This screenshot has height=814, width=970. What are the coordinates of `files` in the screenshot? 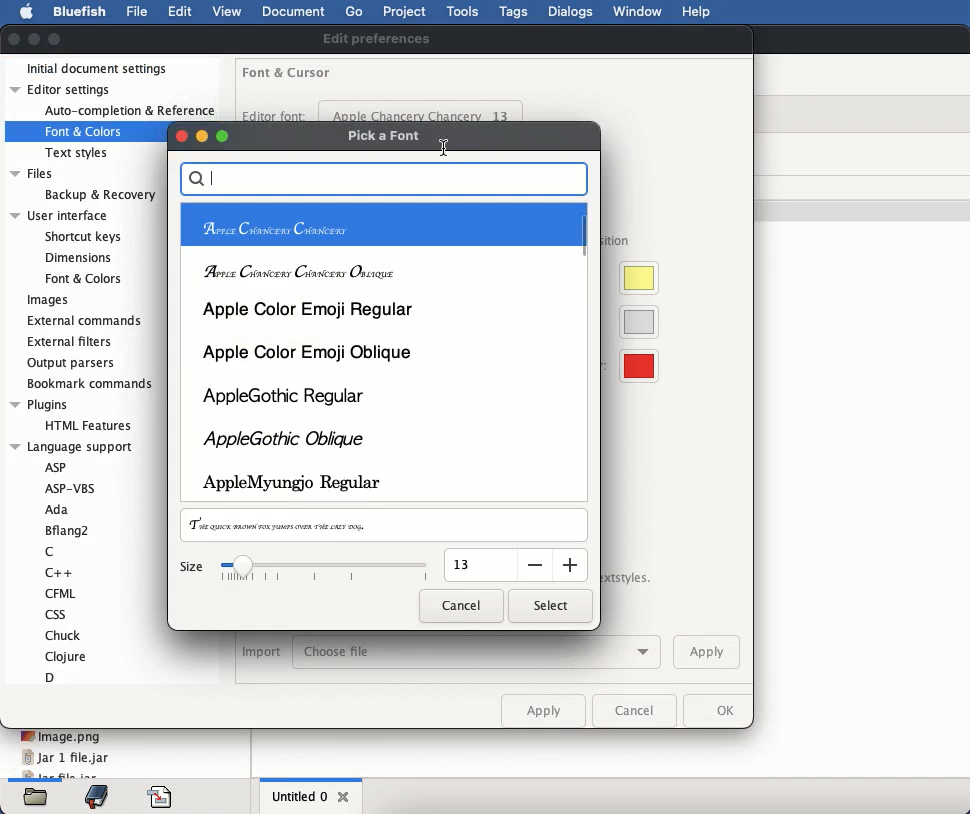 It's located at (84, 185).